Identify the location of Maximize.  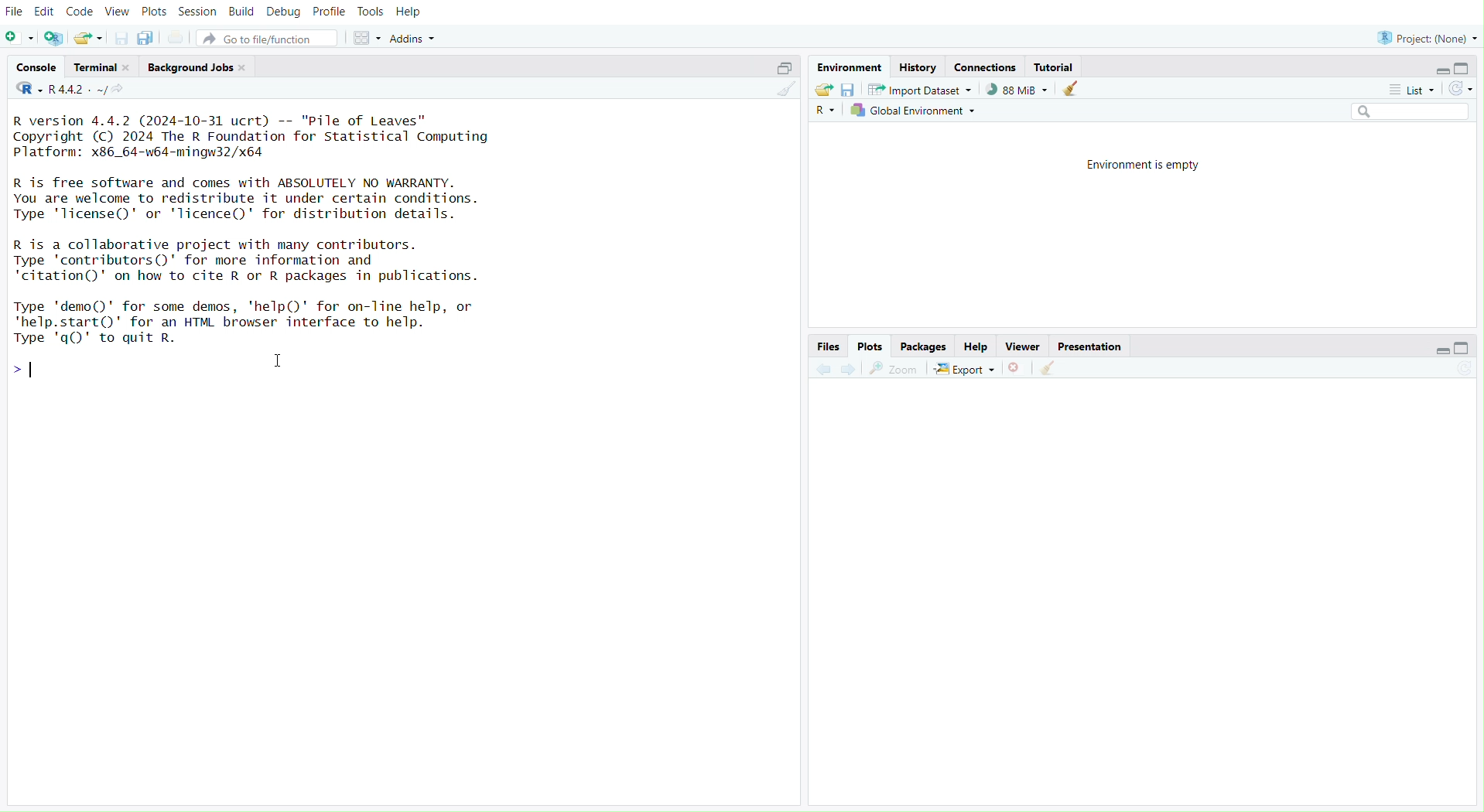
(1465, 68).